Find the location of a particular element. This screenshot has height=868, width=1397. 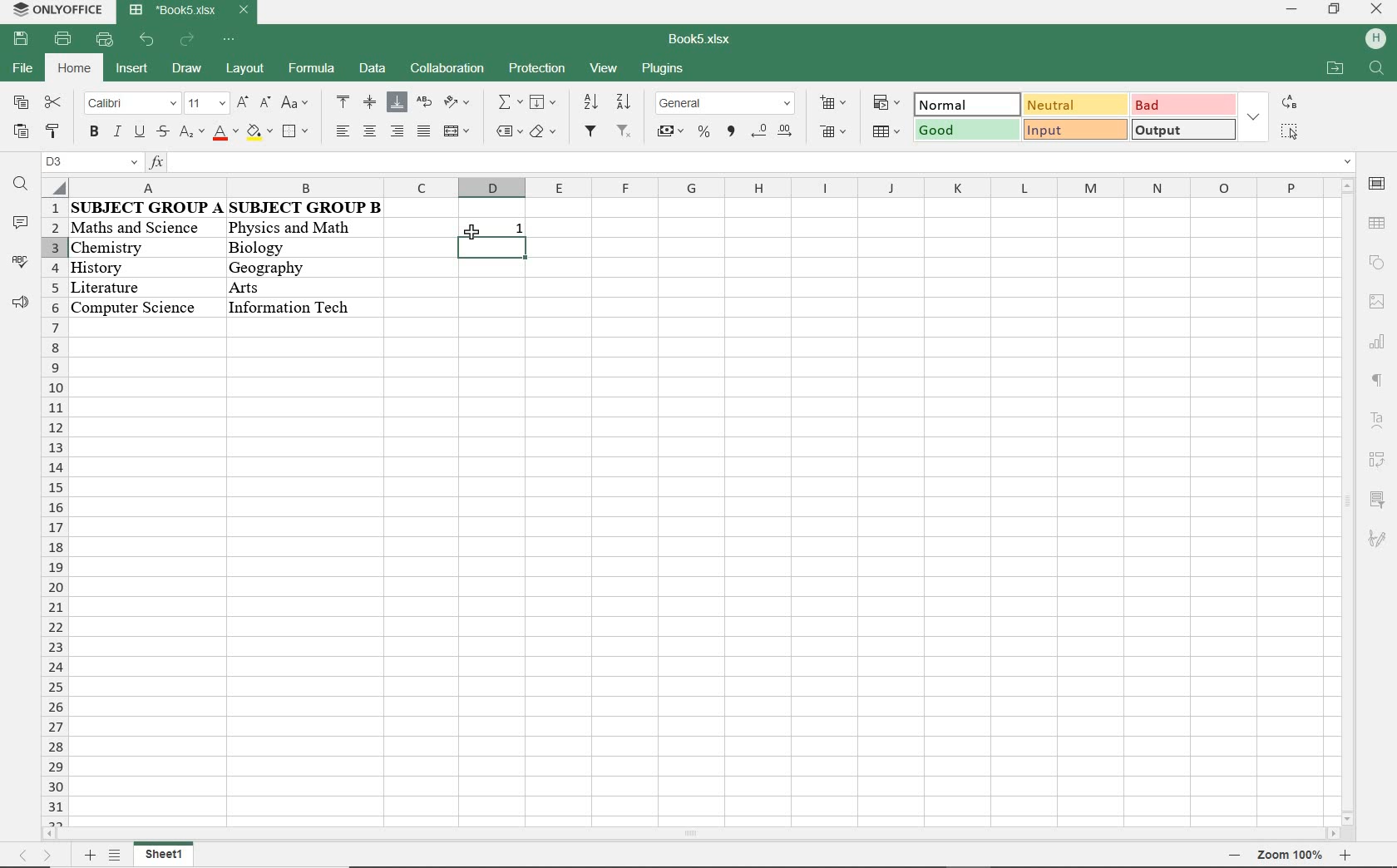

close is located at coordinates (1376, 10).